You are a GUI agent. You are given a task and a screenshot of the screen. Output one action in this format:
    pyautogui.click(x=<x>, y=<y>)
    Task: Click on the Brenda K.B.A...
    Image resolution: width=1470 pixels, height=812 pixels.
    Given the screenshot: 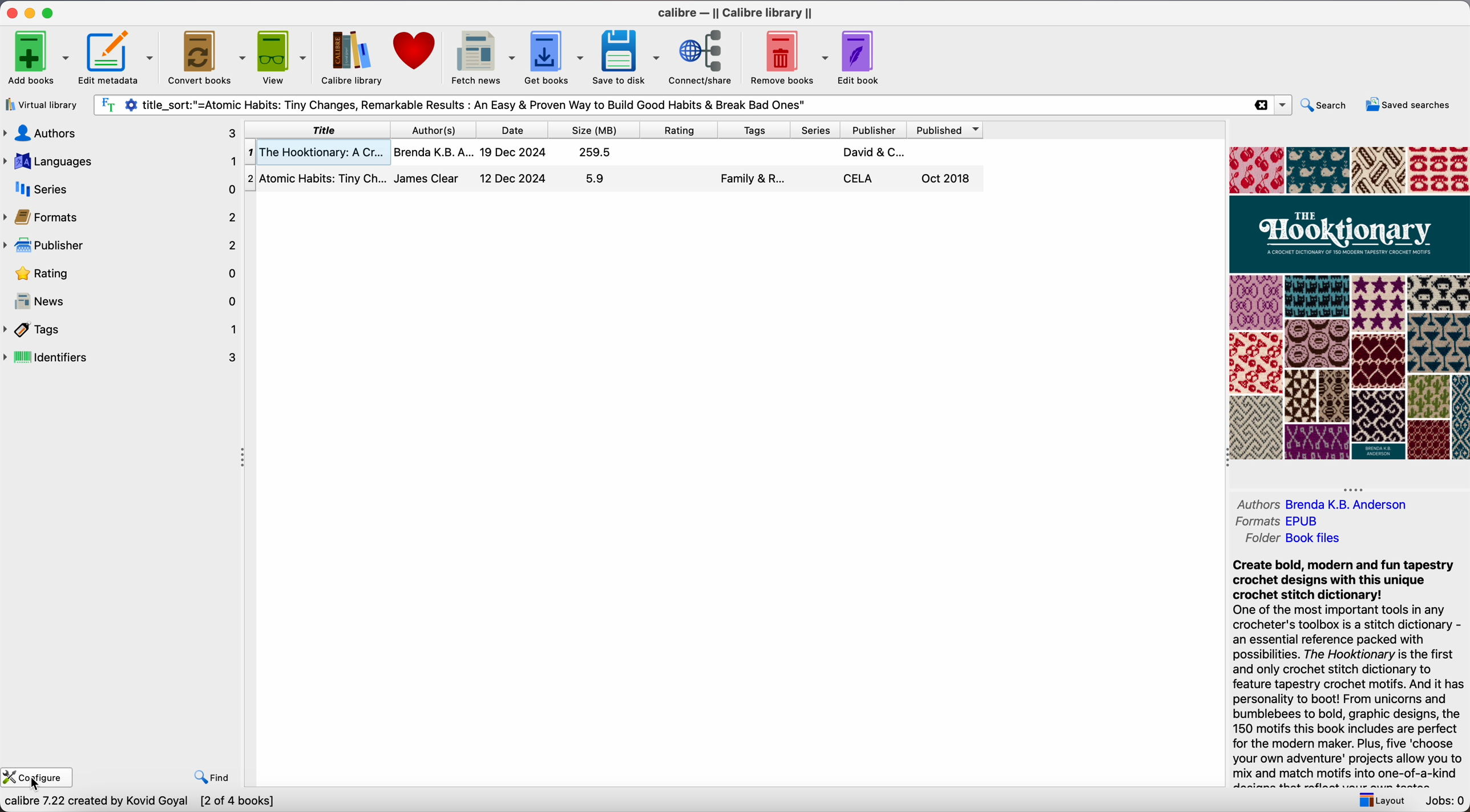 What is the action you would take?
    pyautogui.click(x=433, y=152)
    